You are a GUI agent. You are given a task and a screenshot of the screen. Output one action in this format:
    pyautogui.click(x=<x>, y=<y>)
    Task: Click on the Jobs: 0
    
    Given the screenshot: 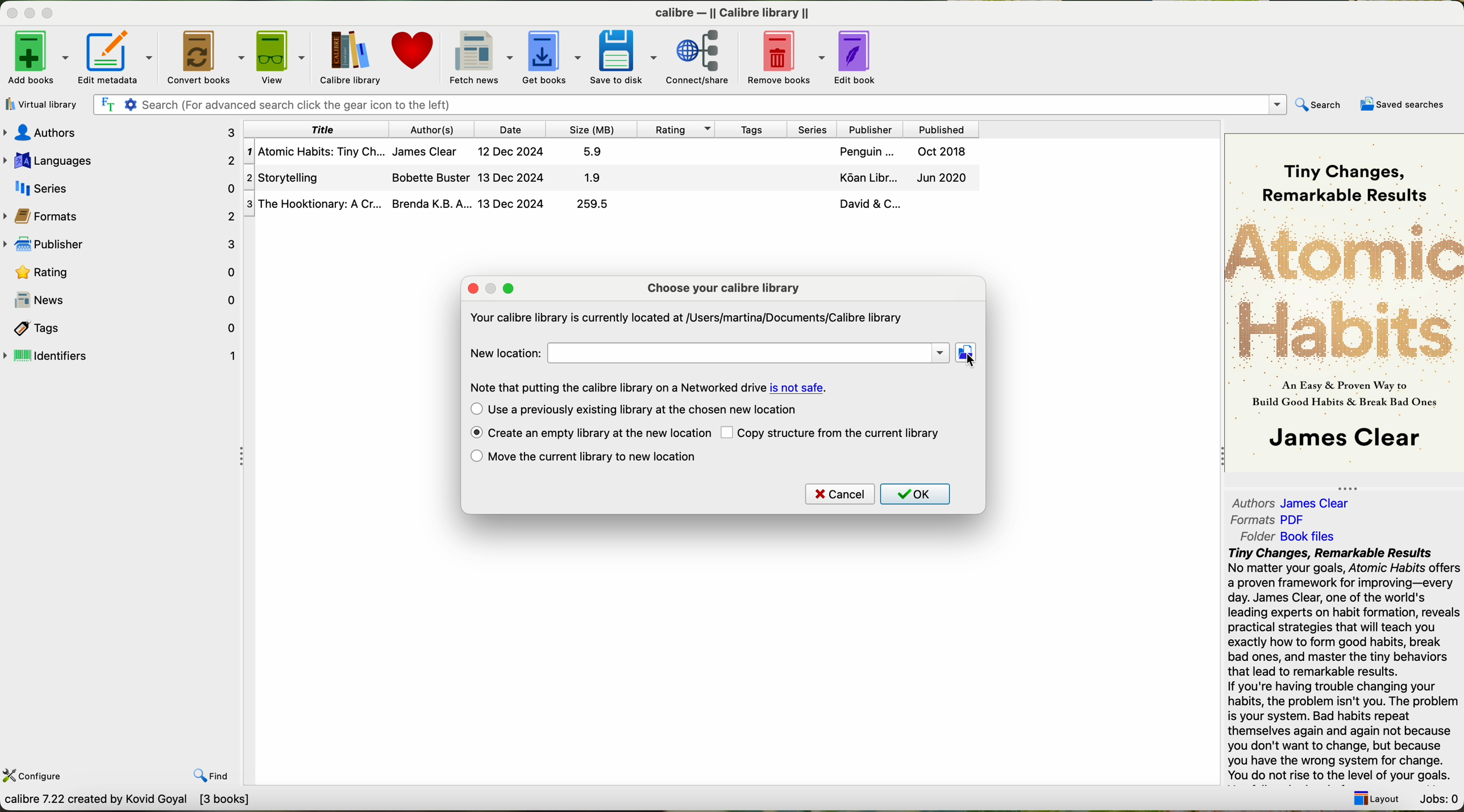 What is the action you would take?
    pyautogui.click(x=1437, y=796)
    